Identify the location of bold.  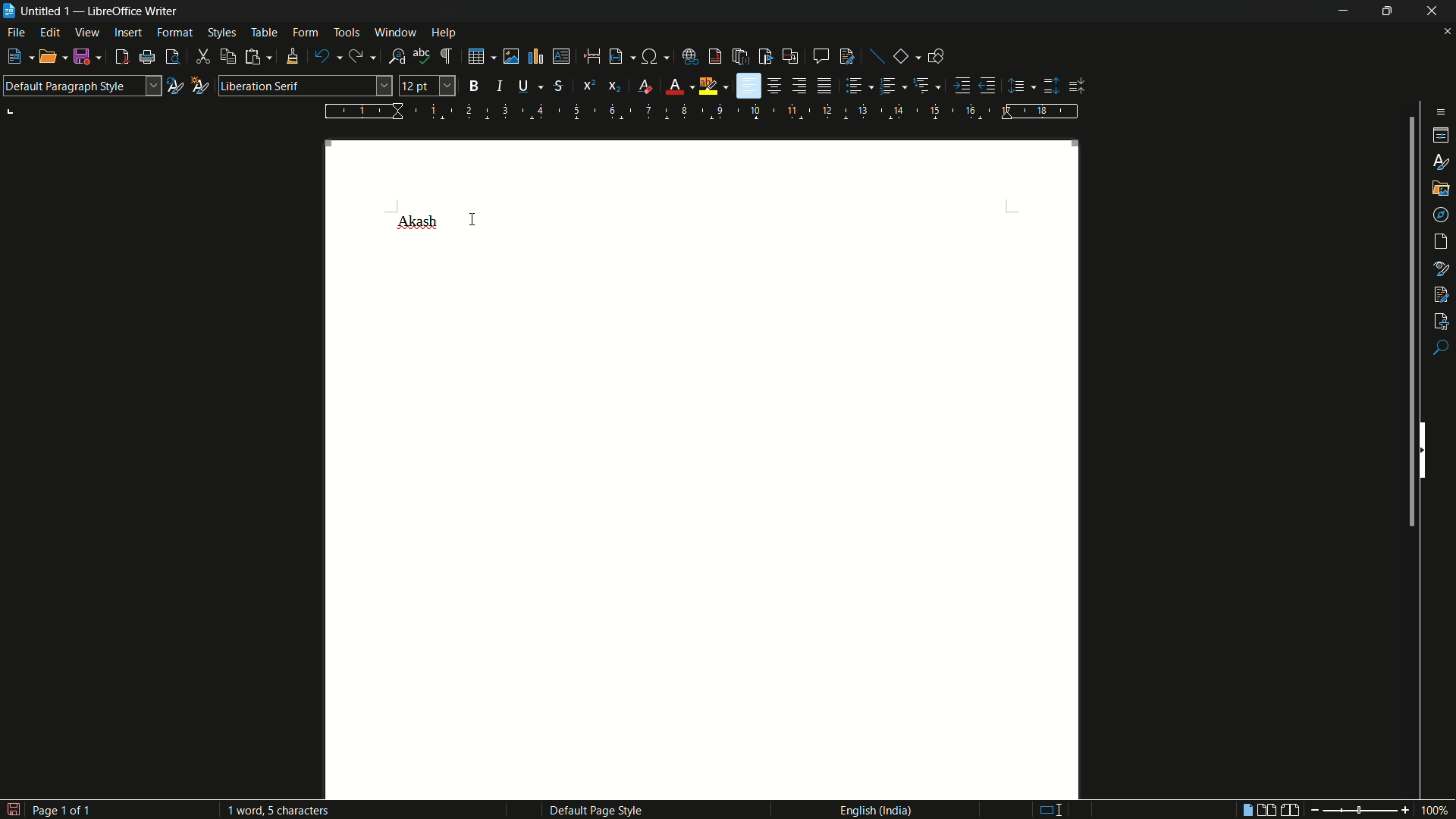
(475, 86).